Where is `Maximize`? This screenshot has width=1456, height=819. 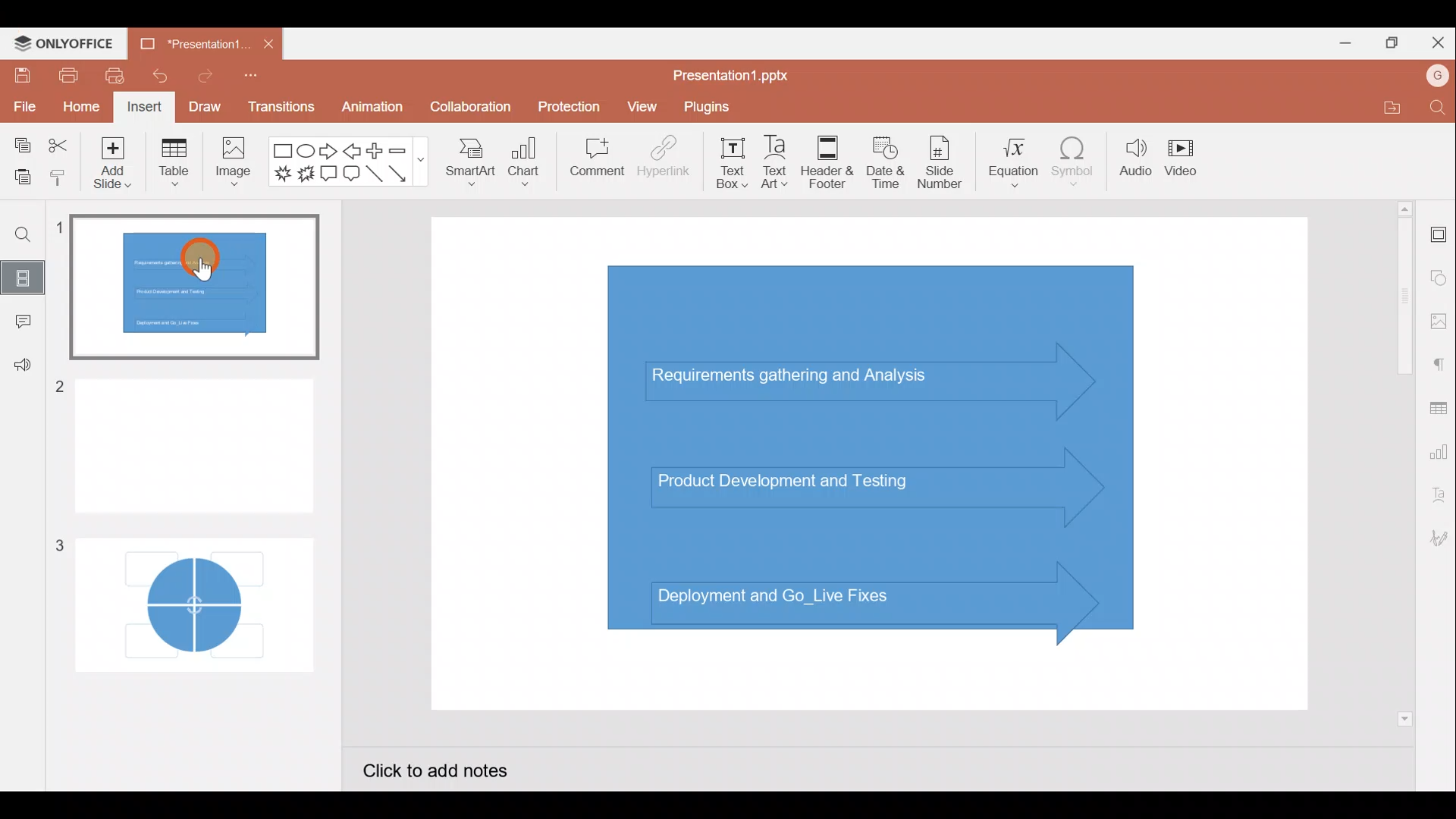
Maximize is located at coordinates (1395, 41).